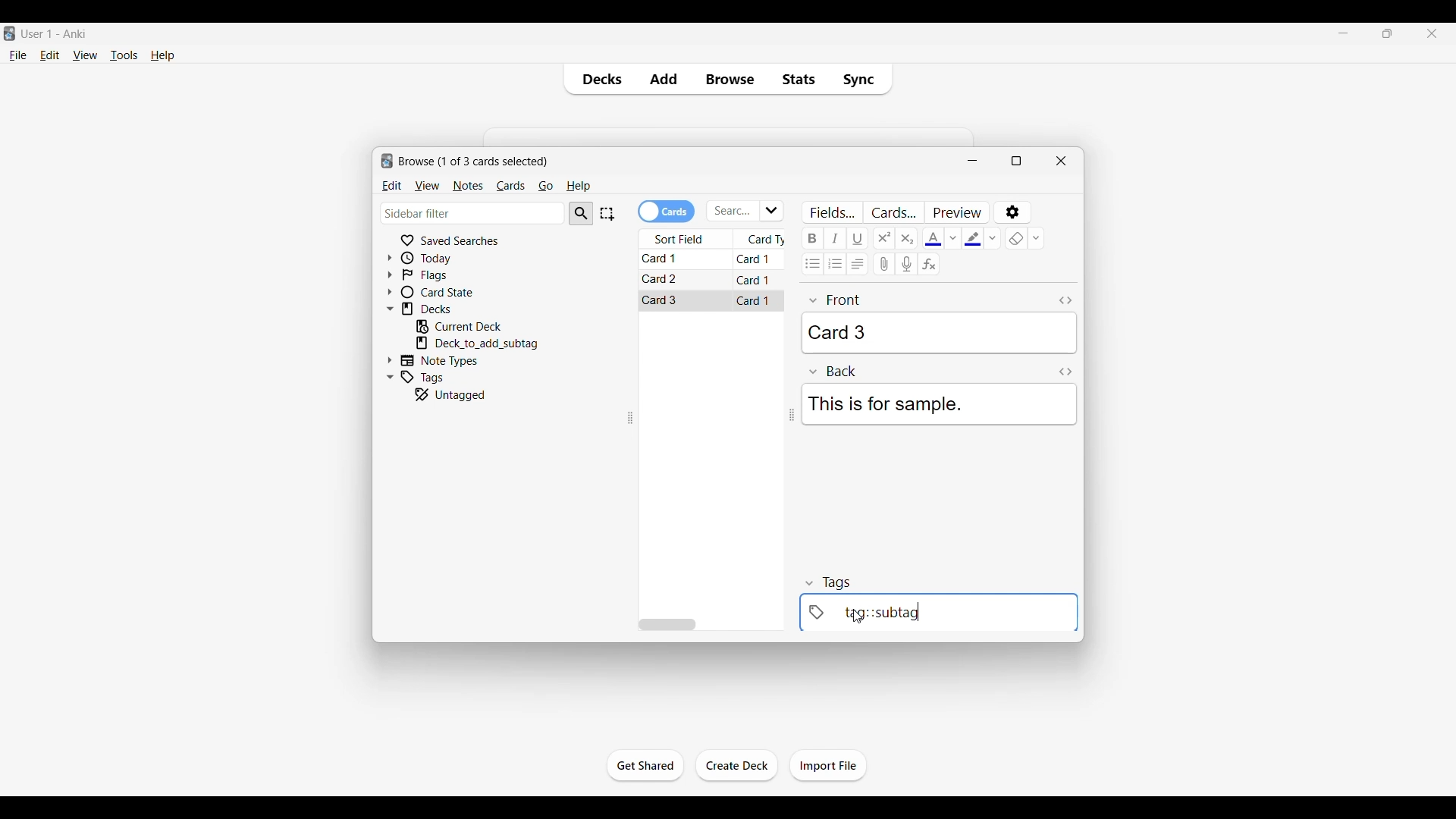 Image resolution: width=1456 pixels, height=819 pixels. What do you see at coordinates (862, 79) in the screenshot?
I see `Sync` at bounding box center [862, 79].